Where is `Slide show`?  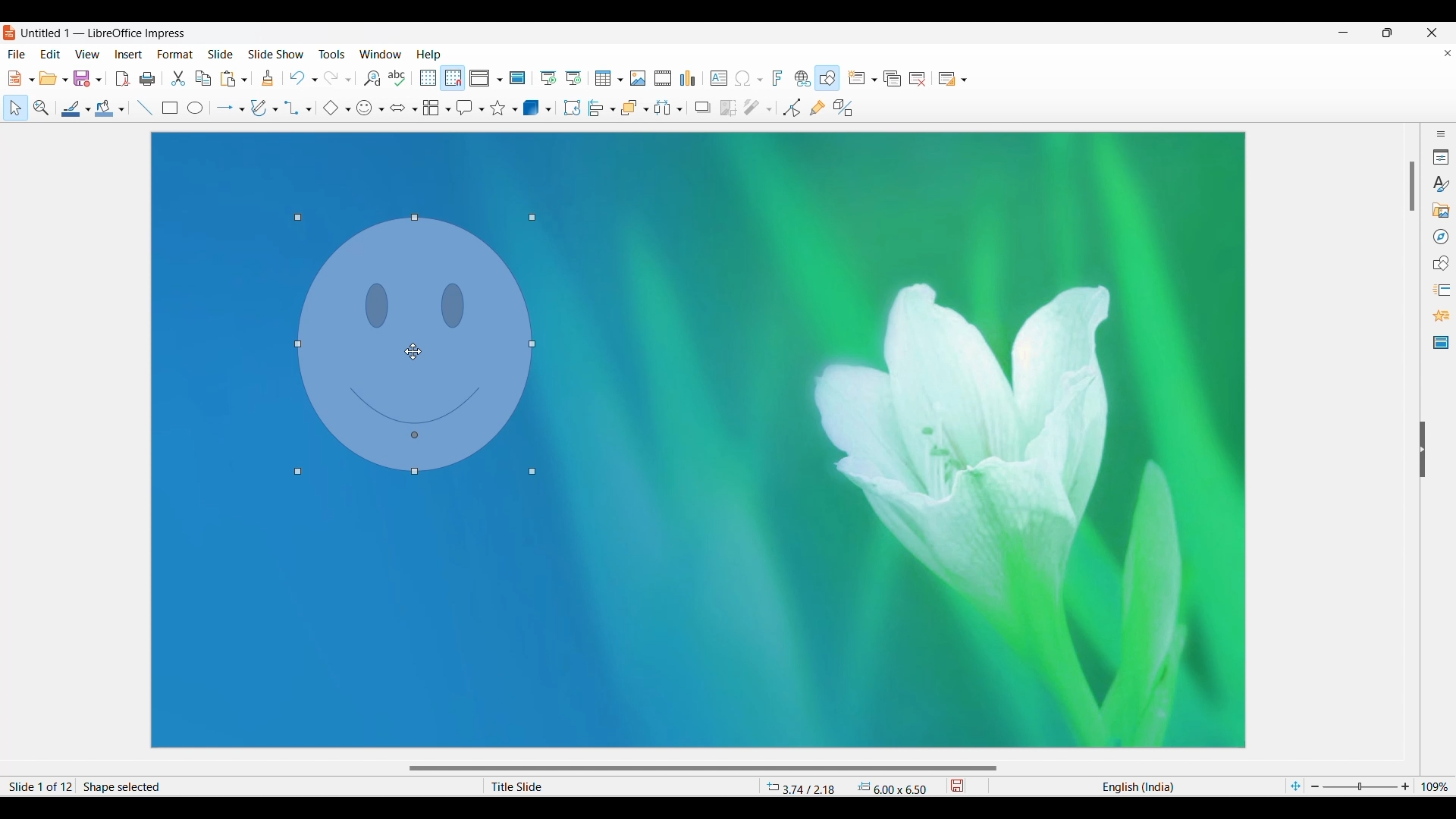
Slide show is located at coordinates (275, 53).